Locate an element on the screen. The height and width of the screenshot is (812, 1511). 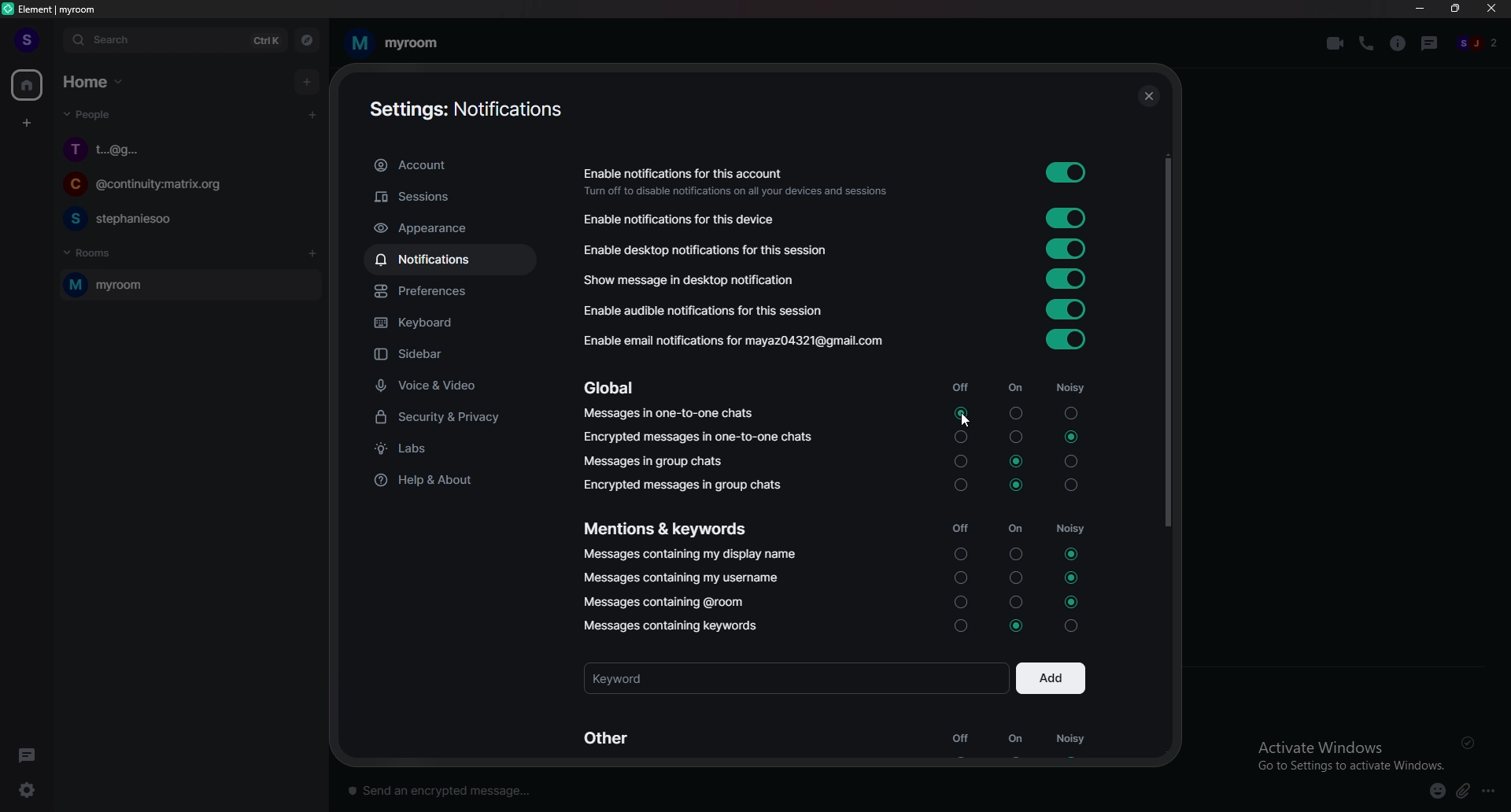
delivered is located at coordinates (1469, 742).